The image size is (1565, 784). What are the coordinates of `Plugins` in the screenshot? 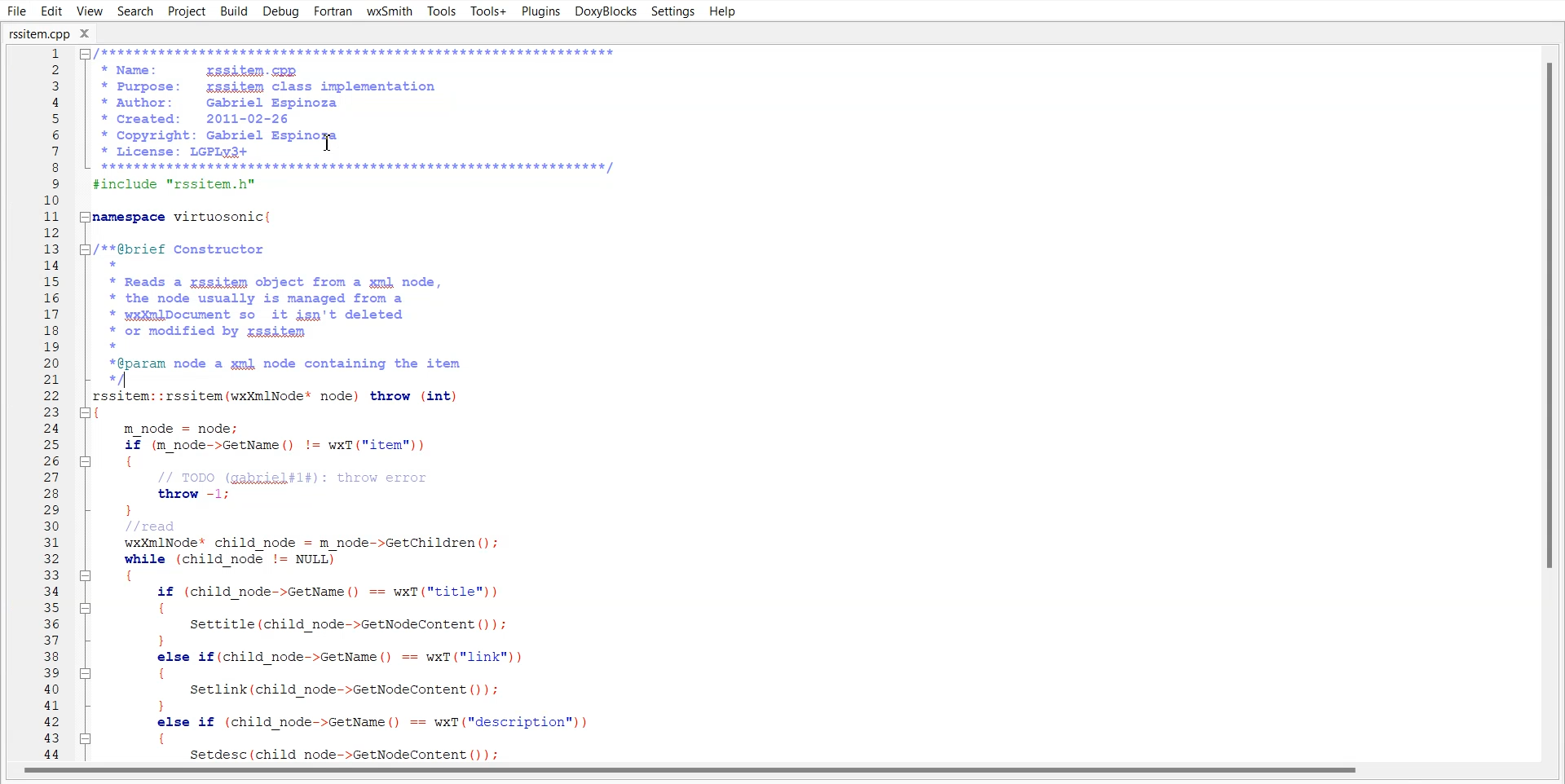 It's located at (540, 11).